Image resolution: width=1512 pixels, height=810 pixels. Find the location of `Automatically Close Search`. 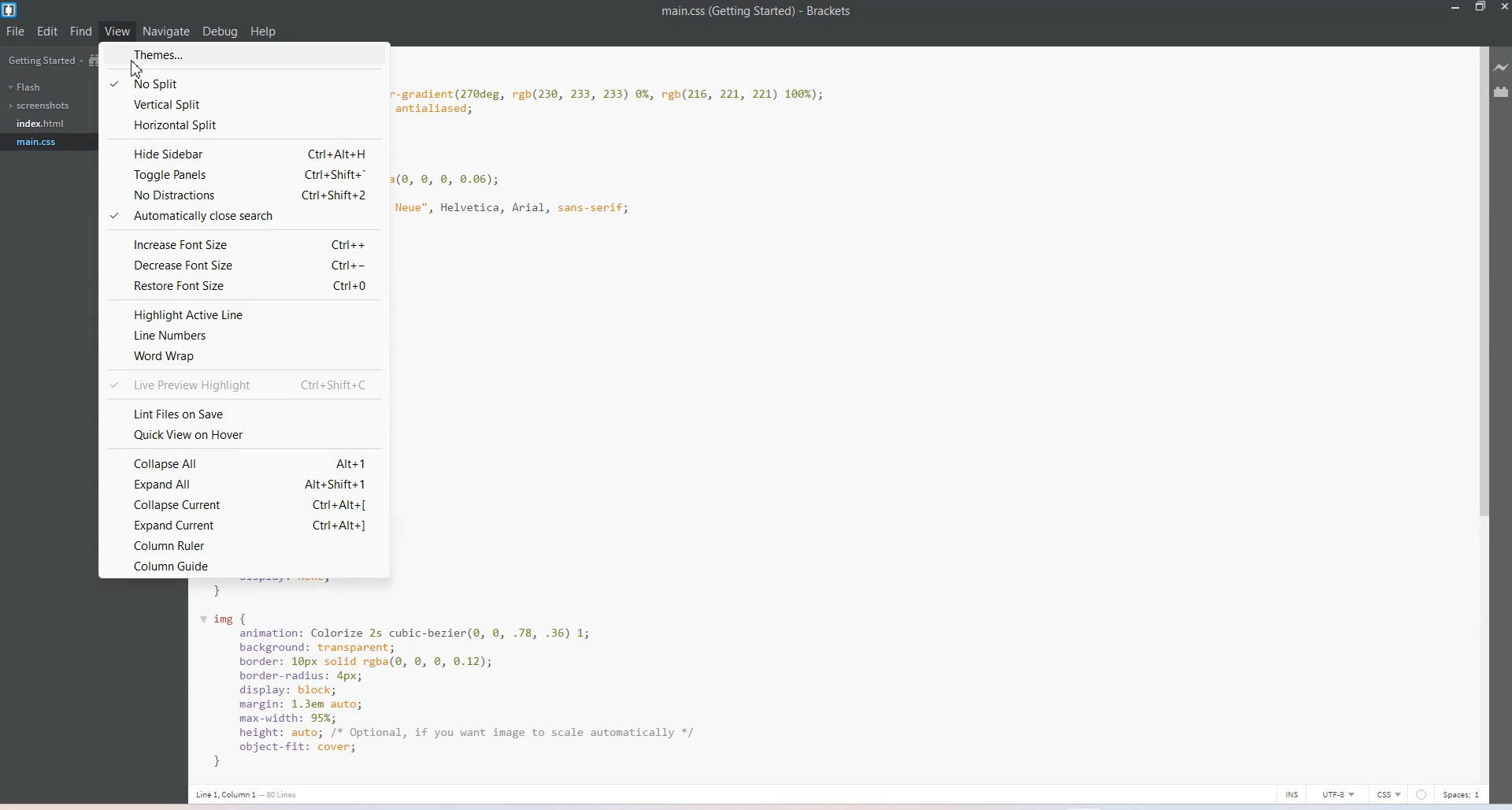

Automatically Close Search is located at coordinates (242, 217).